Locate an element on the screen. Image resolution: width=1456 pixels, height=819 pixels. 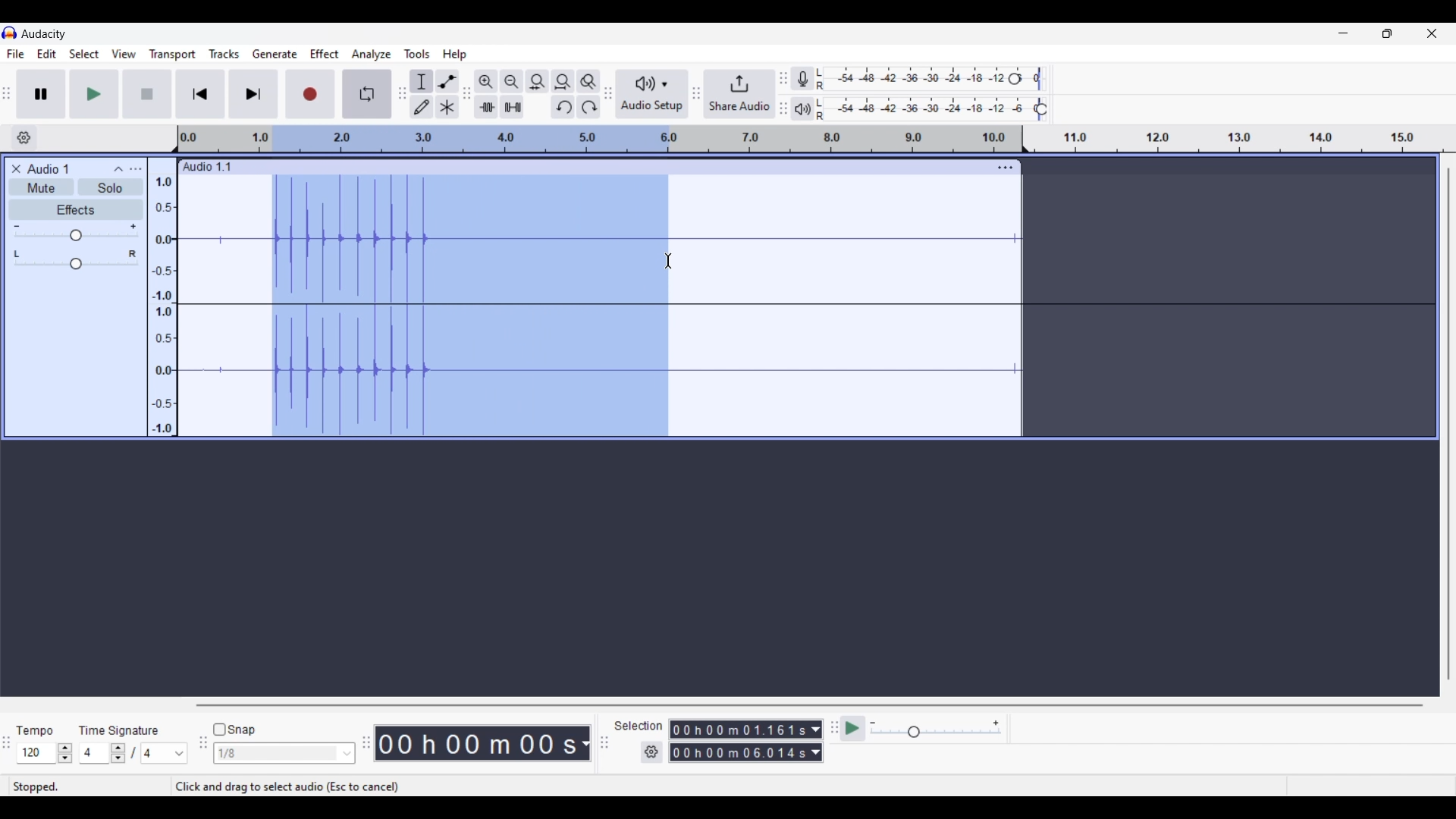
Scale to measure duration of recording is located at coordinates (1246, 139).